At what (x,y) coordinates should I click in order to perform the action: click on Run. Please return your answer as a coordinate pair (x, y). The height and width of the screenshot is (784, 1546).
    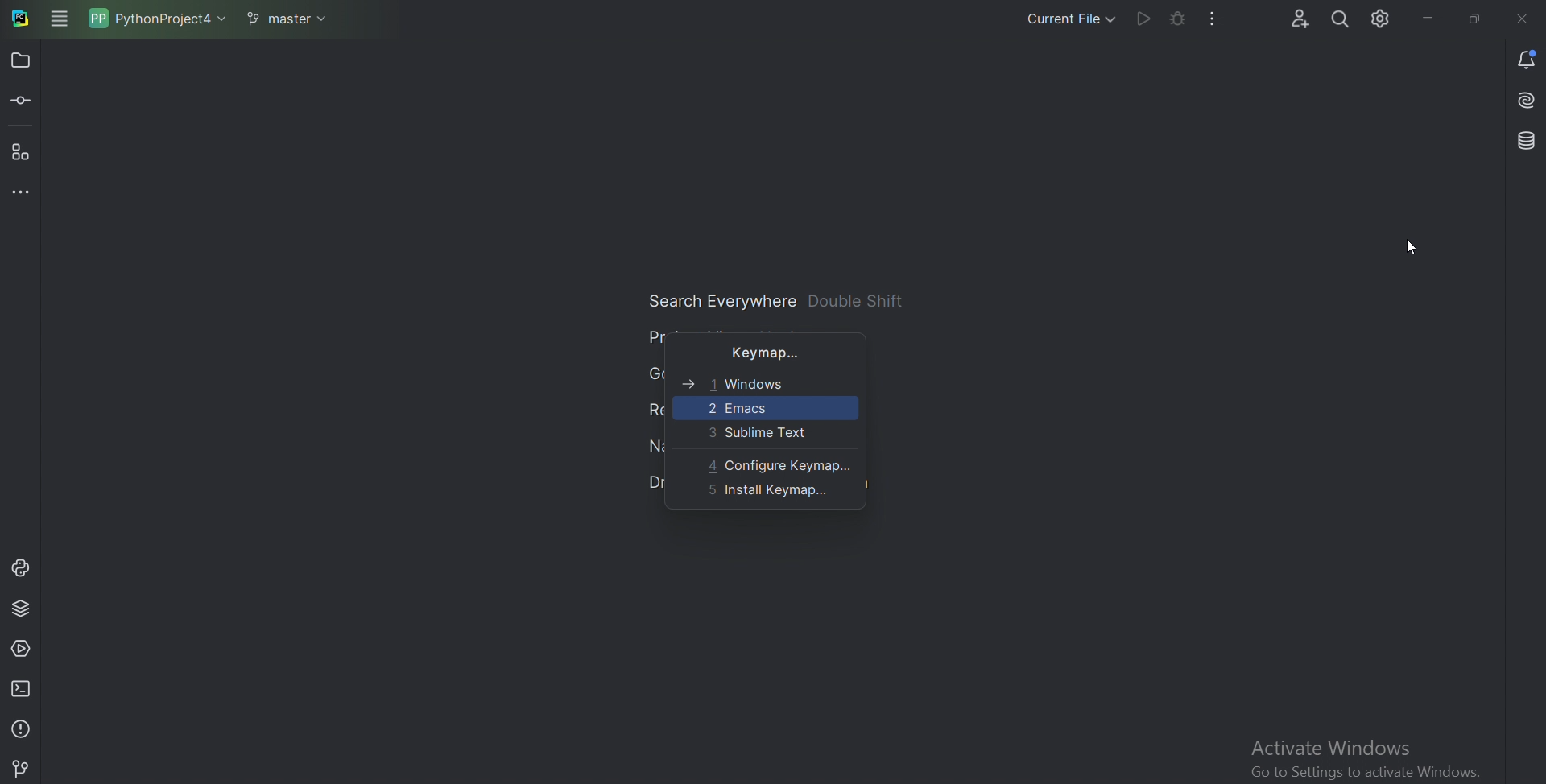
    Looking at the image, I should click on (1143, 17).